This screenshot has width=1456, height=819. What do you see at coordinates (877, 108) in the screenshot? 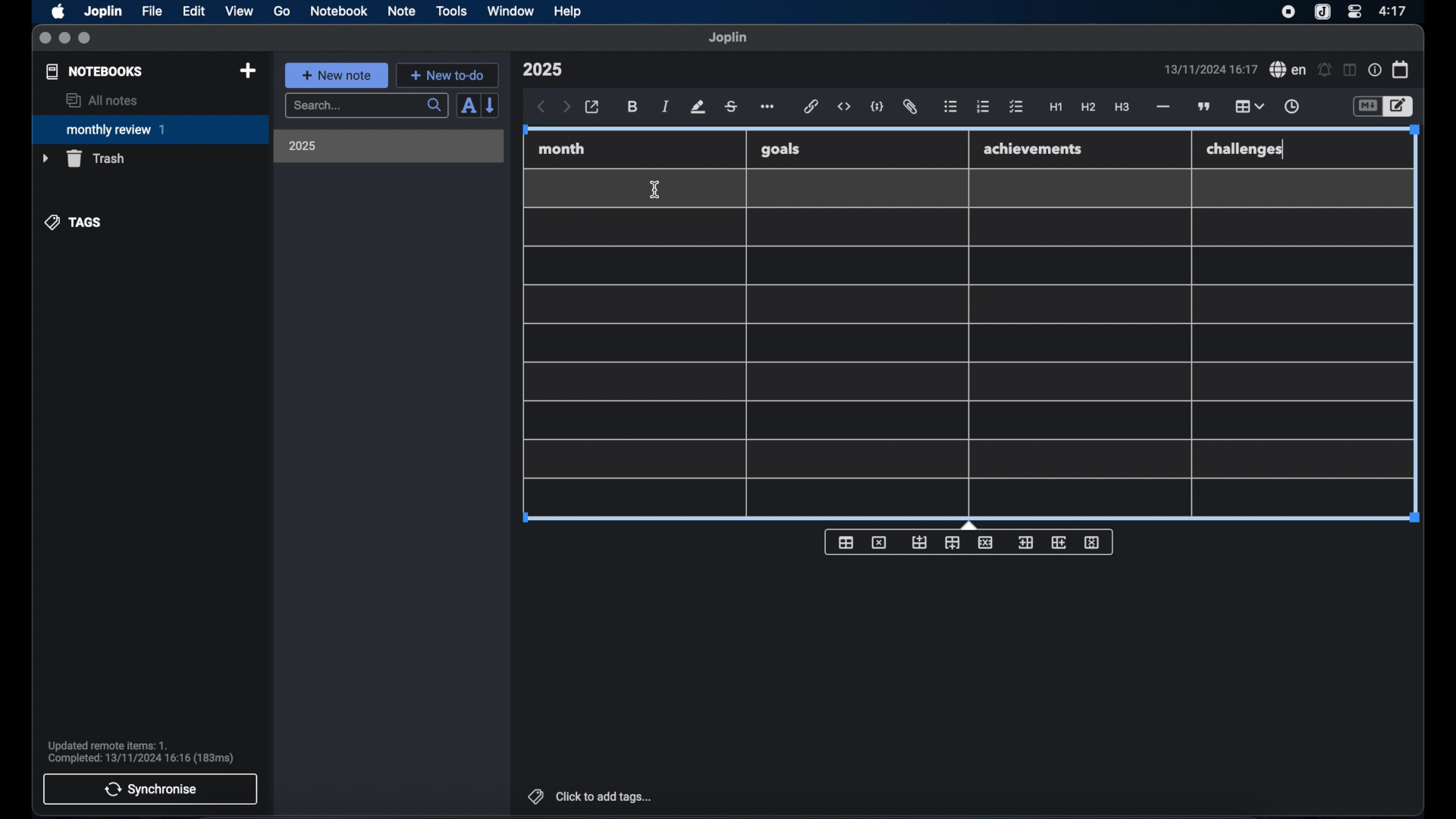
I see `code` at bounding box center [877, 108].